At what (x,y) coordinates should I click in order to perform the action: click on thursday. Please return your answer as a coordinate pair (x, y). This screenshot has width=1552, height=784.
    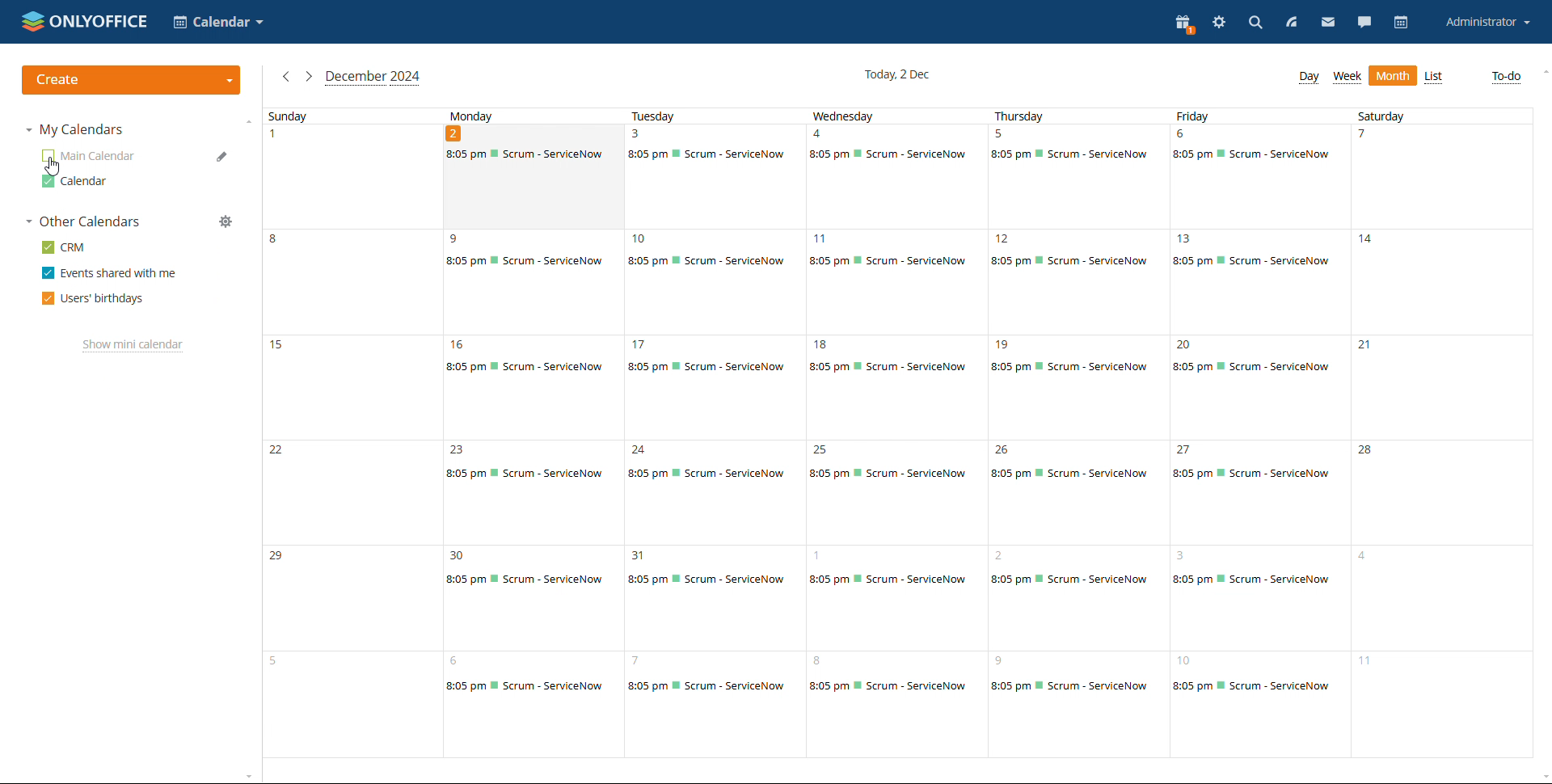
    Looking at the image, I should click on (1081, 432).